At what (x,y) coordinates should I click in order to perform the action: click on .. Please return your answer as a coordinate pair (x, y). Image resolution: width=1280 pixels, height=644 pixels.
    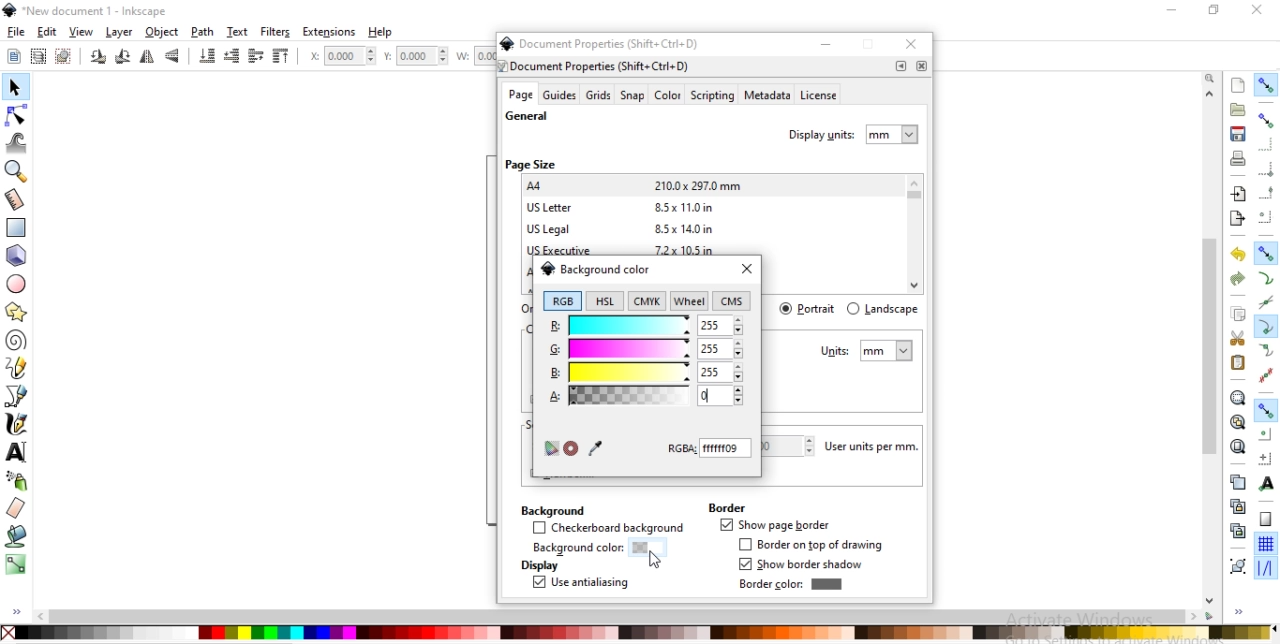
    Looking at the image, I should click on (901, 66).